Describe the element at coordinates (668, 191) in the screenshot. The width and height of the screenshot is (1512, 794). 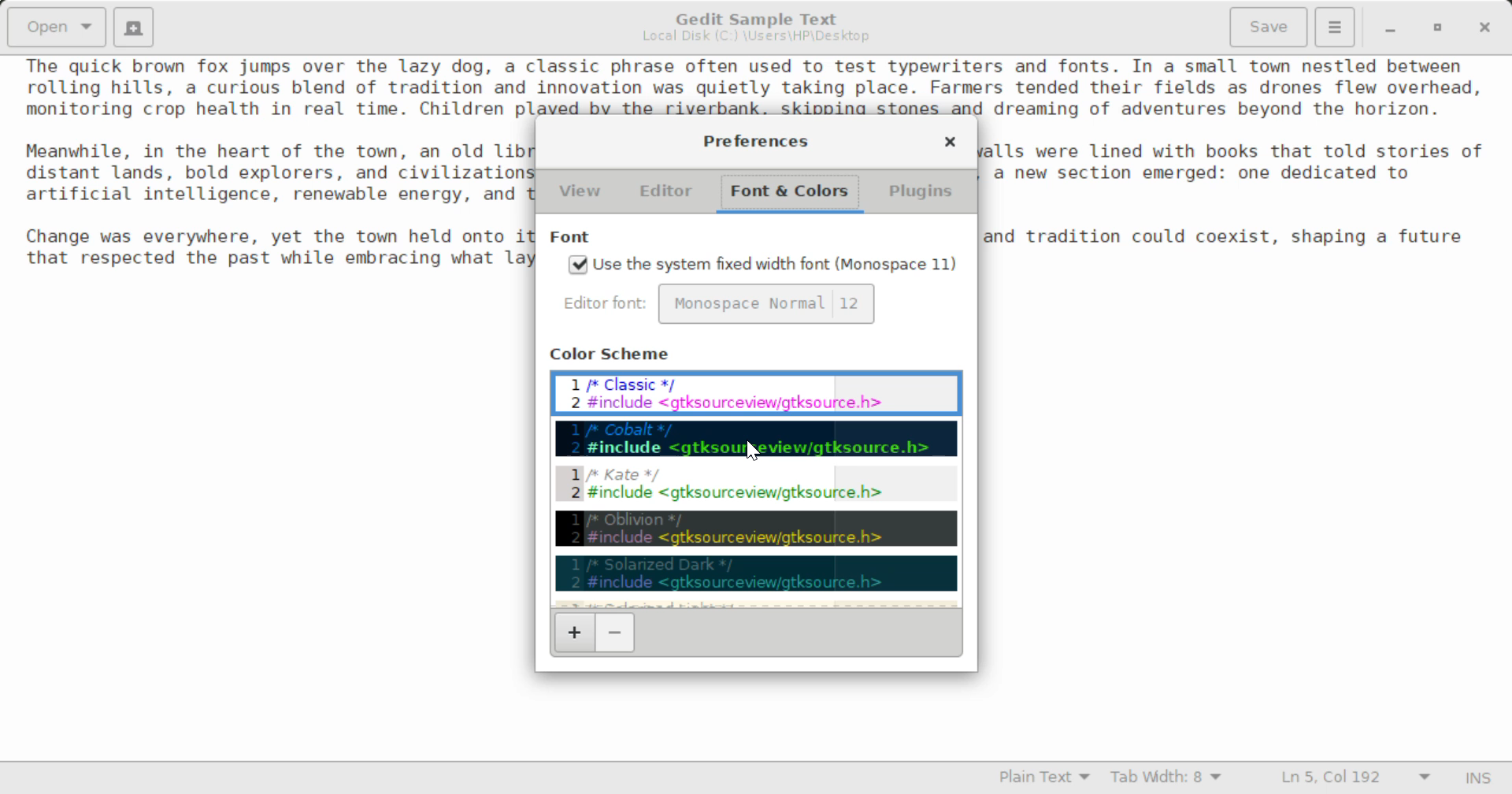
I see `Editor Tab` at that location.